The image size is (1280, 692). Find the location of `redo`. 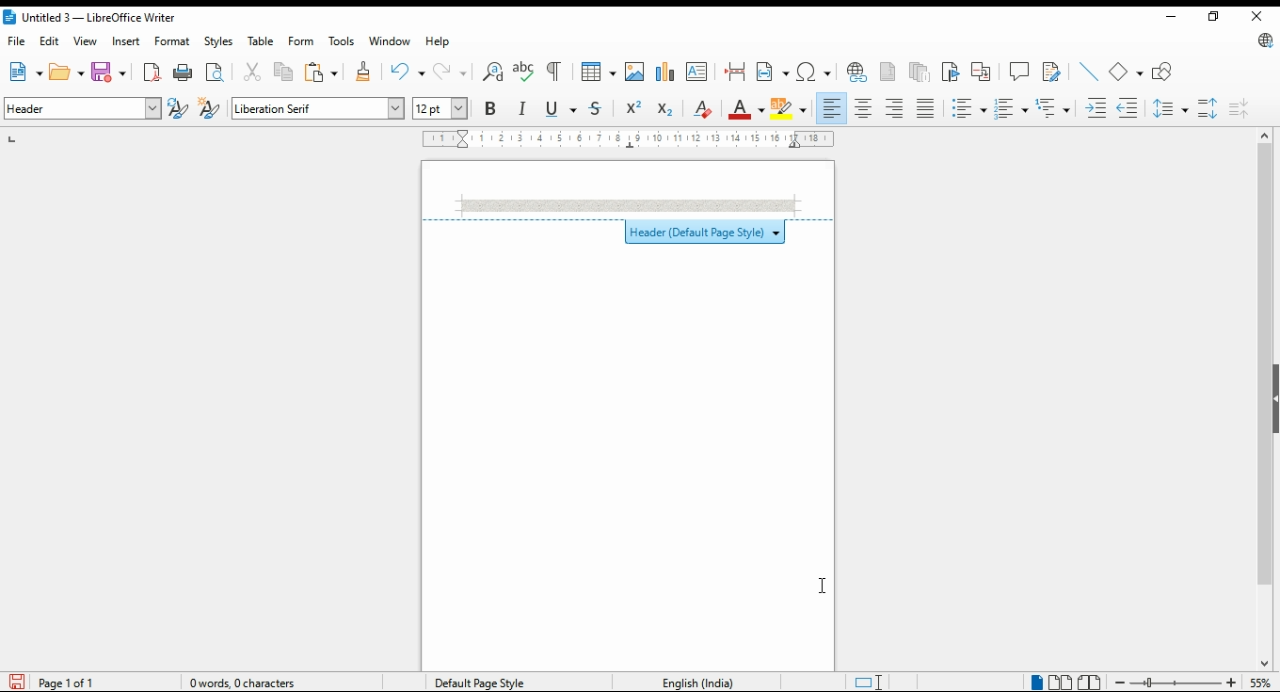

redo is located at coordinates (452, 71).